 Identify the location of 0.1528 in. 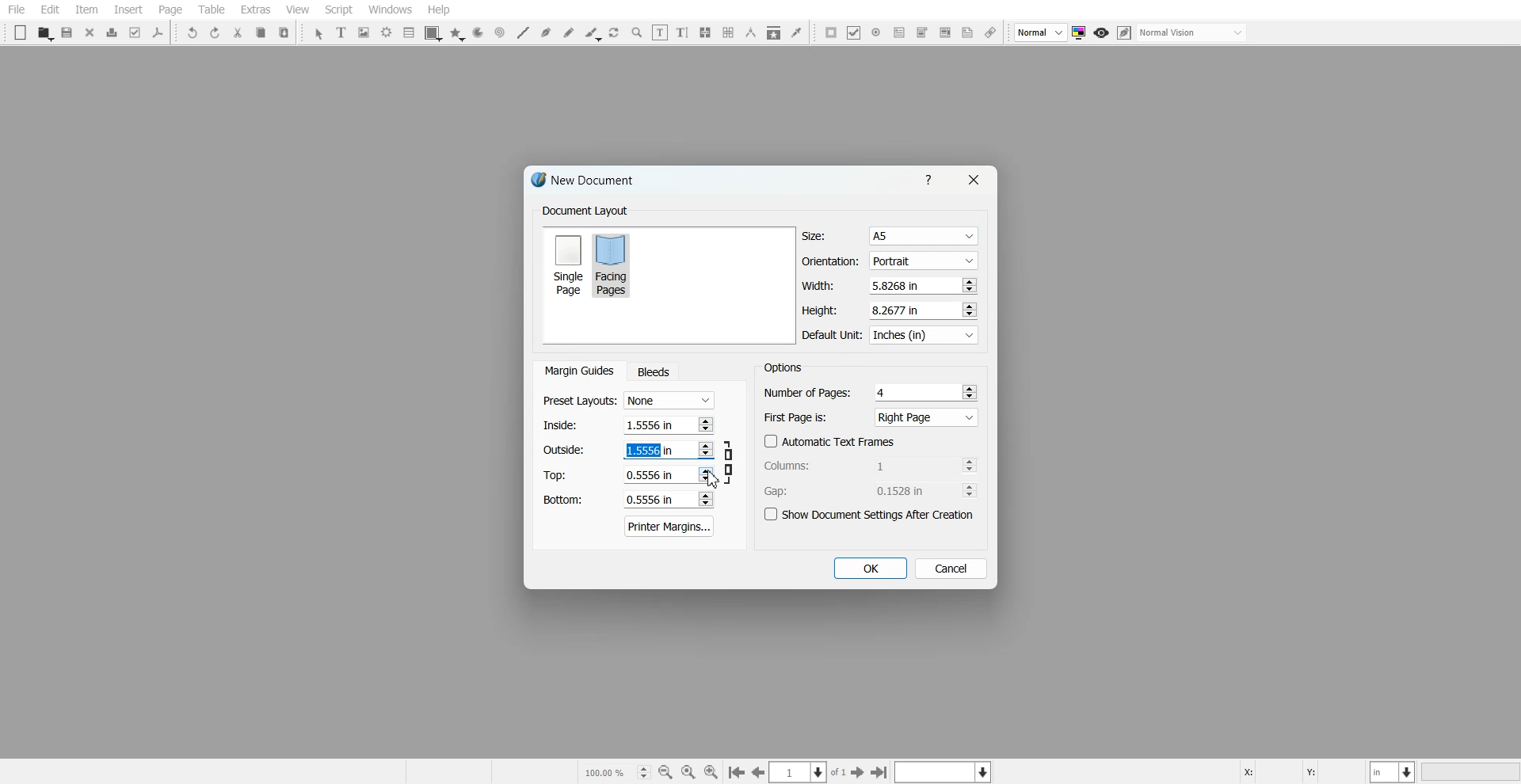
(905, 490).